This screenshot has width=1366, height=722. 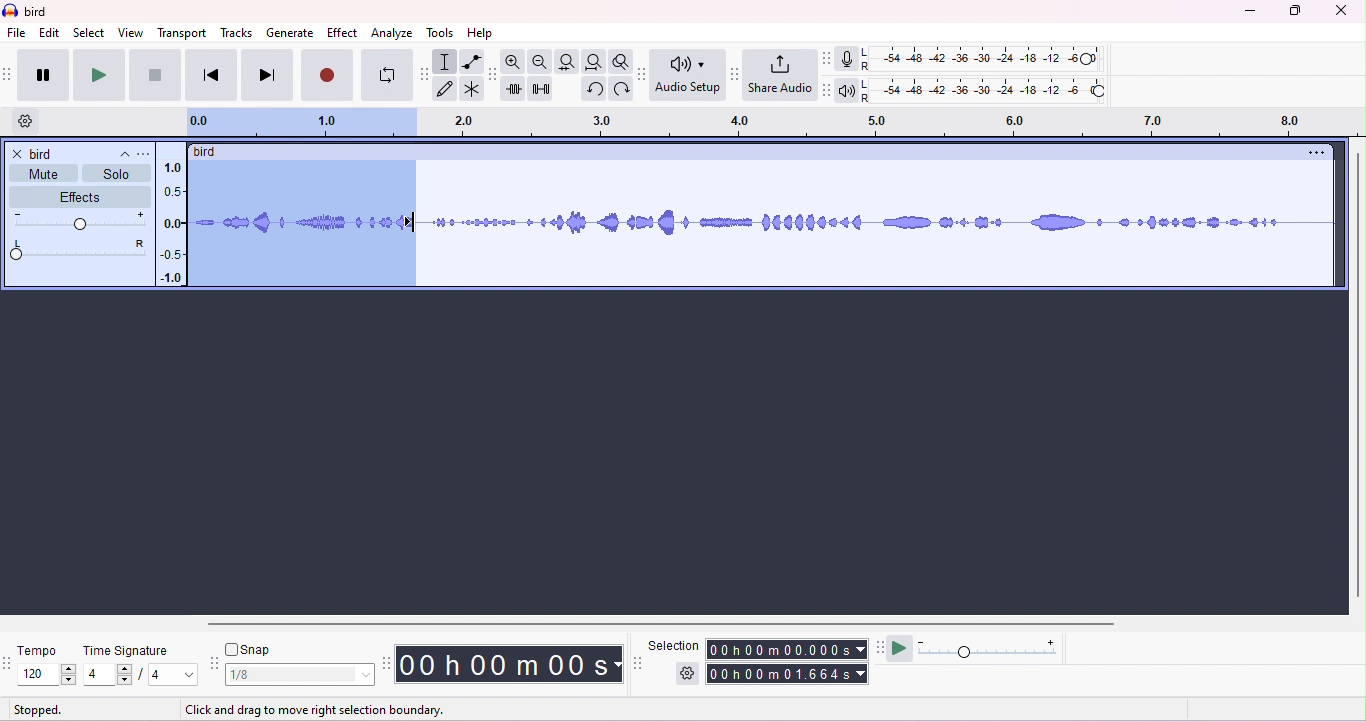 I want to click on amplitude, so click(x=171, y=220).